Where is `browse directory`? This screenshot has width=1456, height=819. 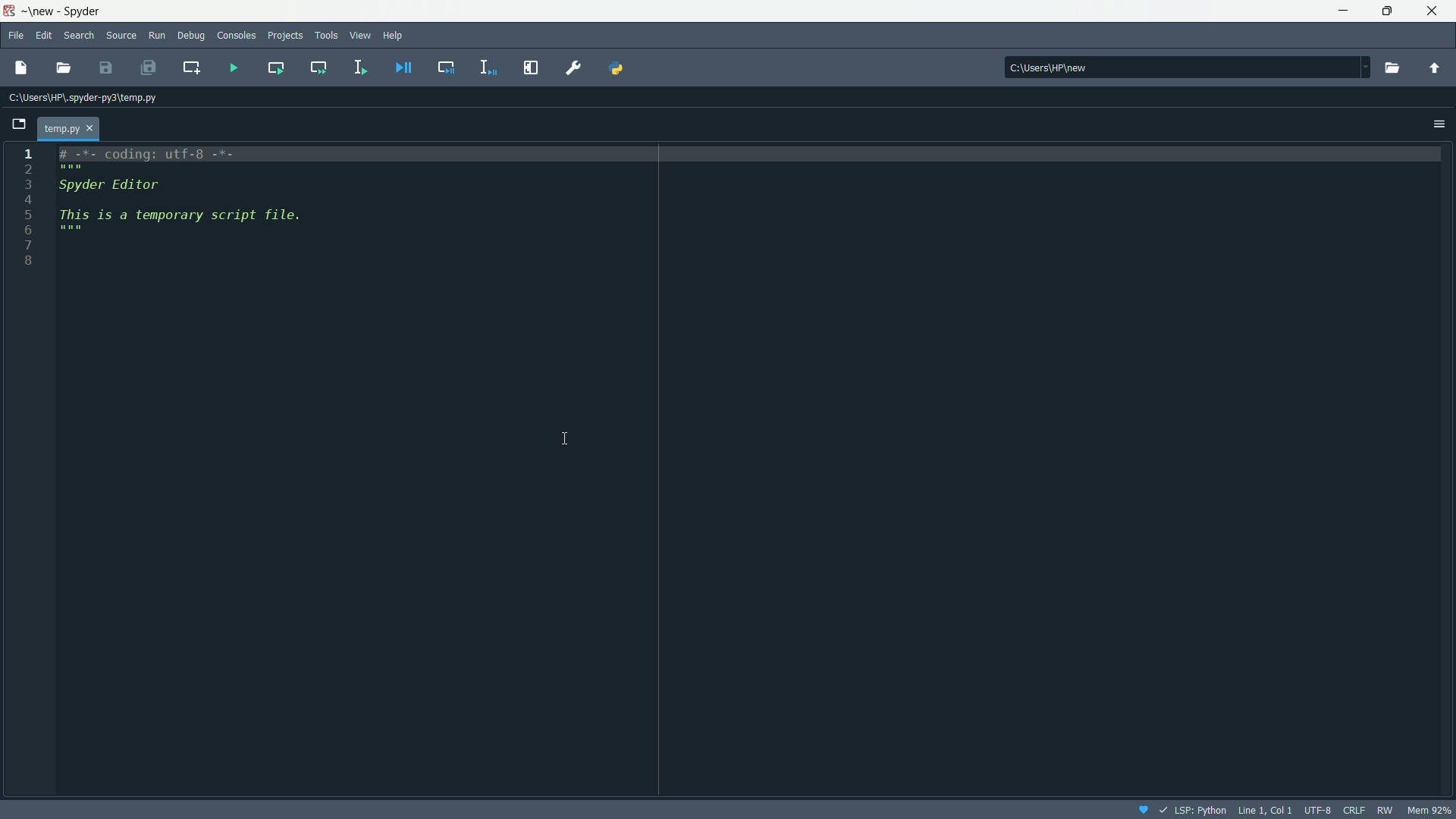 browse directory is located at coordinates (1391, 67).